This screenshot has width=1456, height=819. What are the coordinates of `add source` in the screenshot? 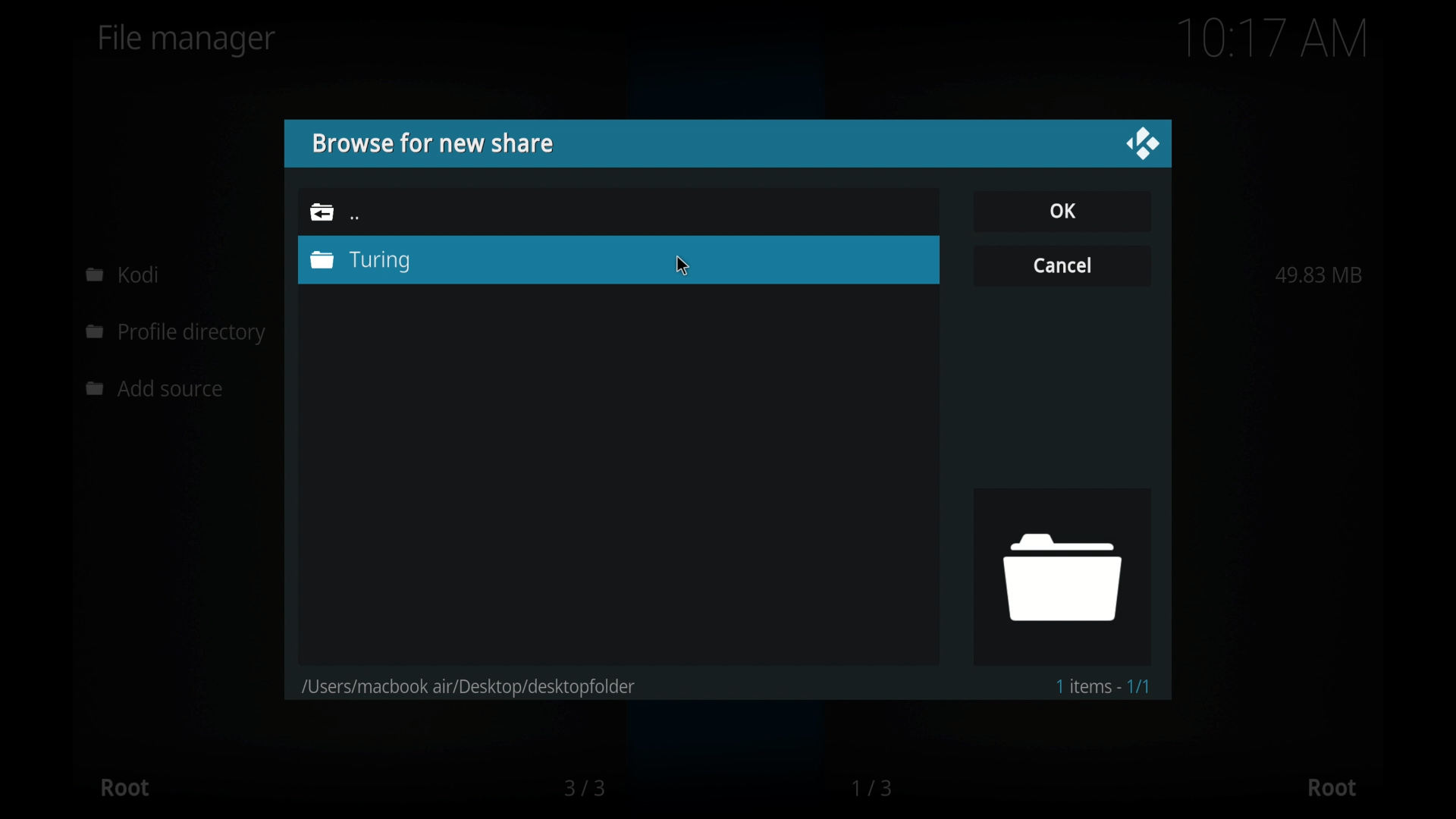 It's located at (158, 389).